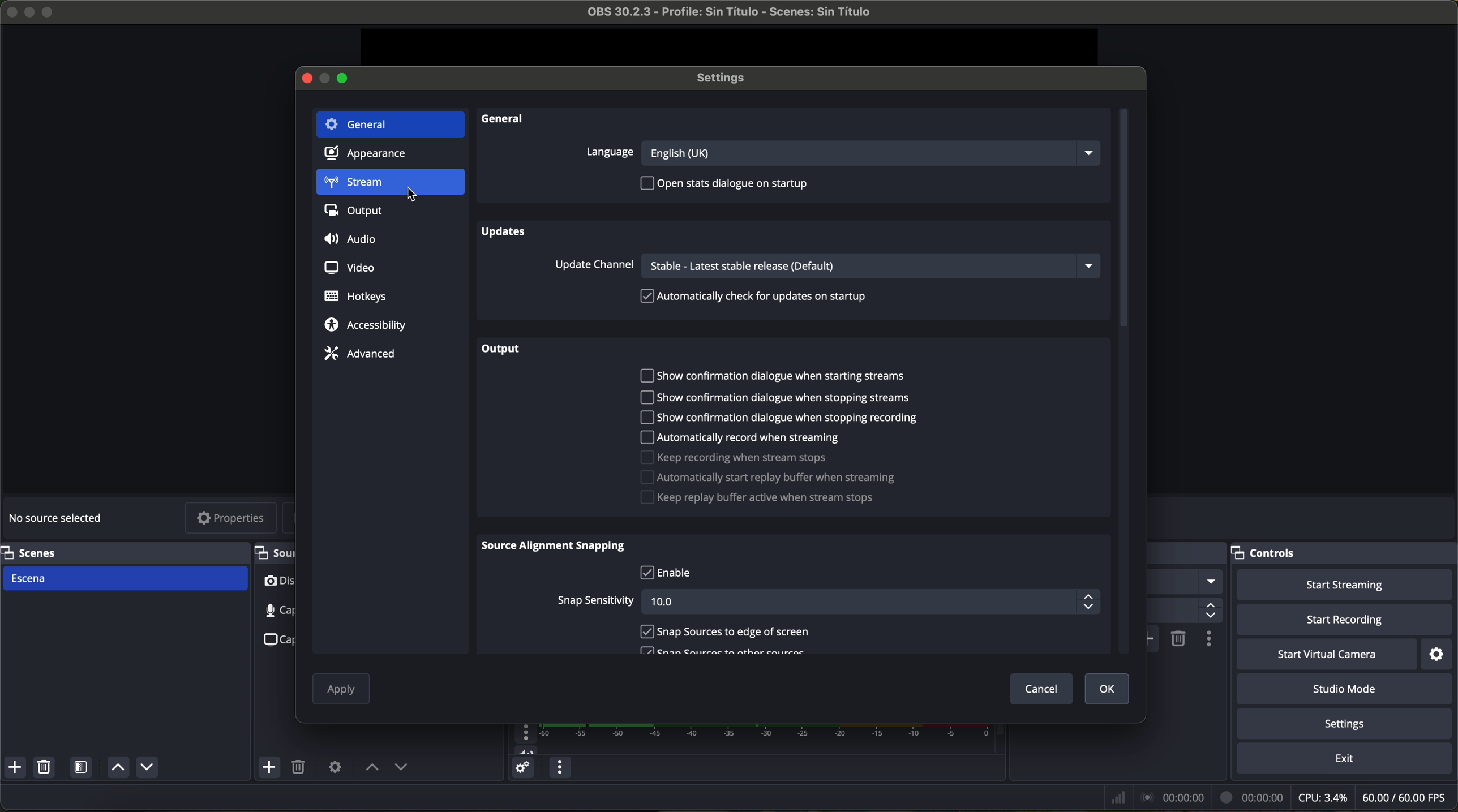 This screenshot has height=812, width=1458. What do you see at coordinates (664, 574) in the screenshot?
I see `enable` at bounding box center [664, 574].